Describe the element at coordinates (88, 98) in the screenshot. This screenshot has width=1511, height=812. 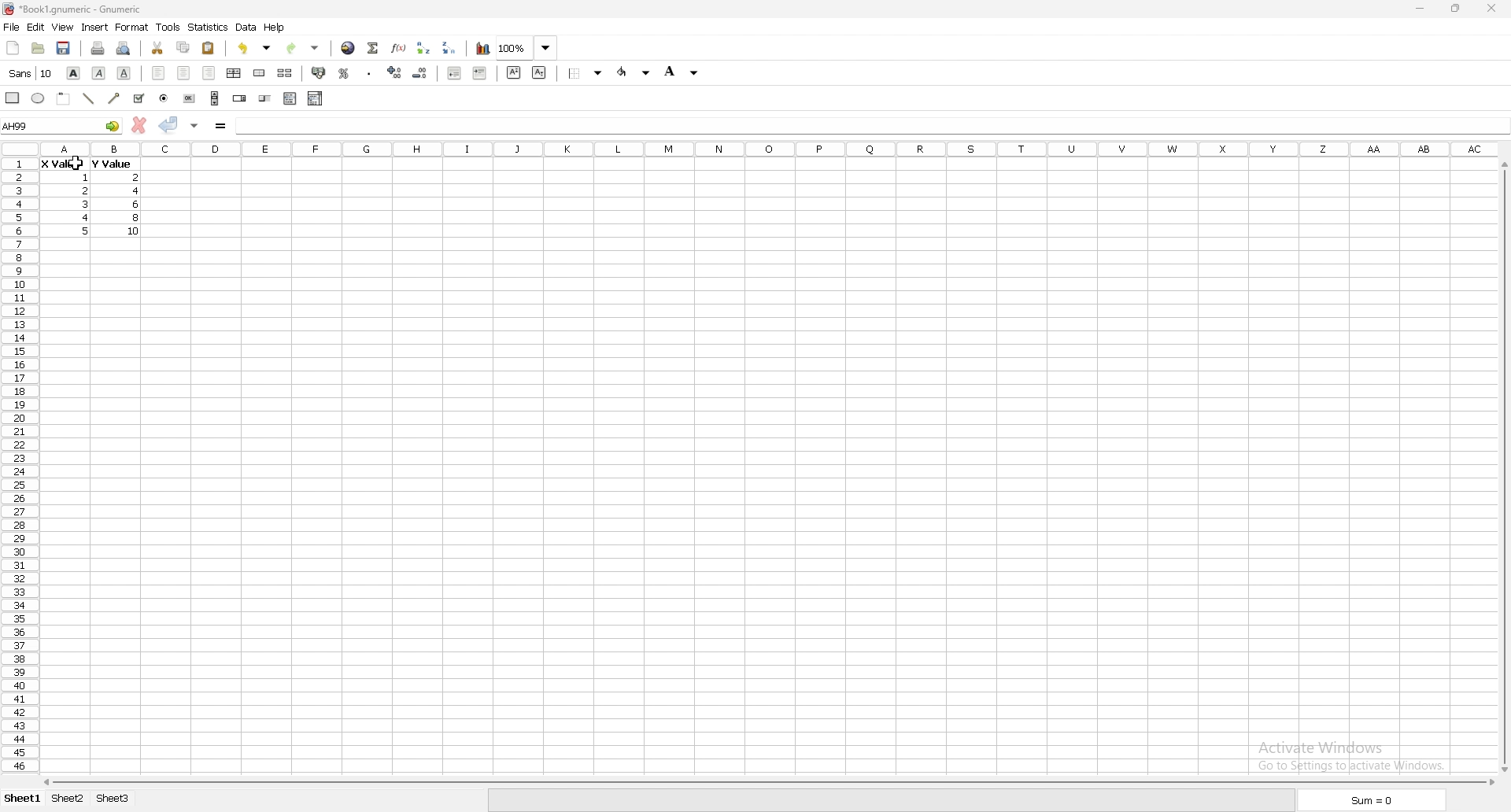
I see `line` at that location.